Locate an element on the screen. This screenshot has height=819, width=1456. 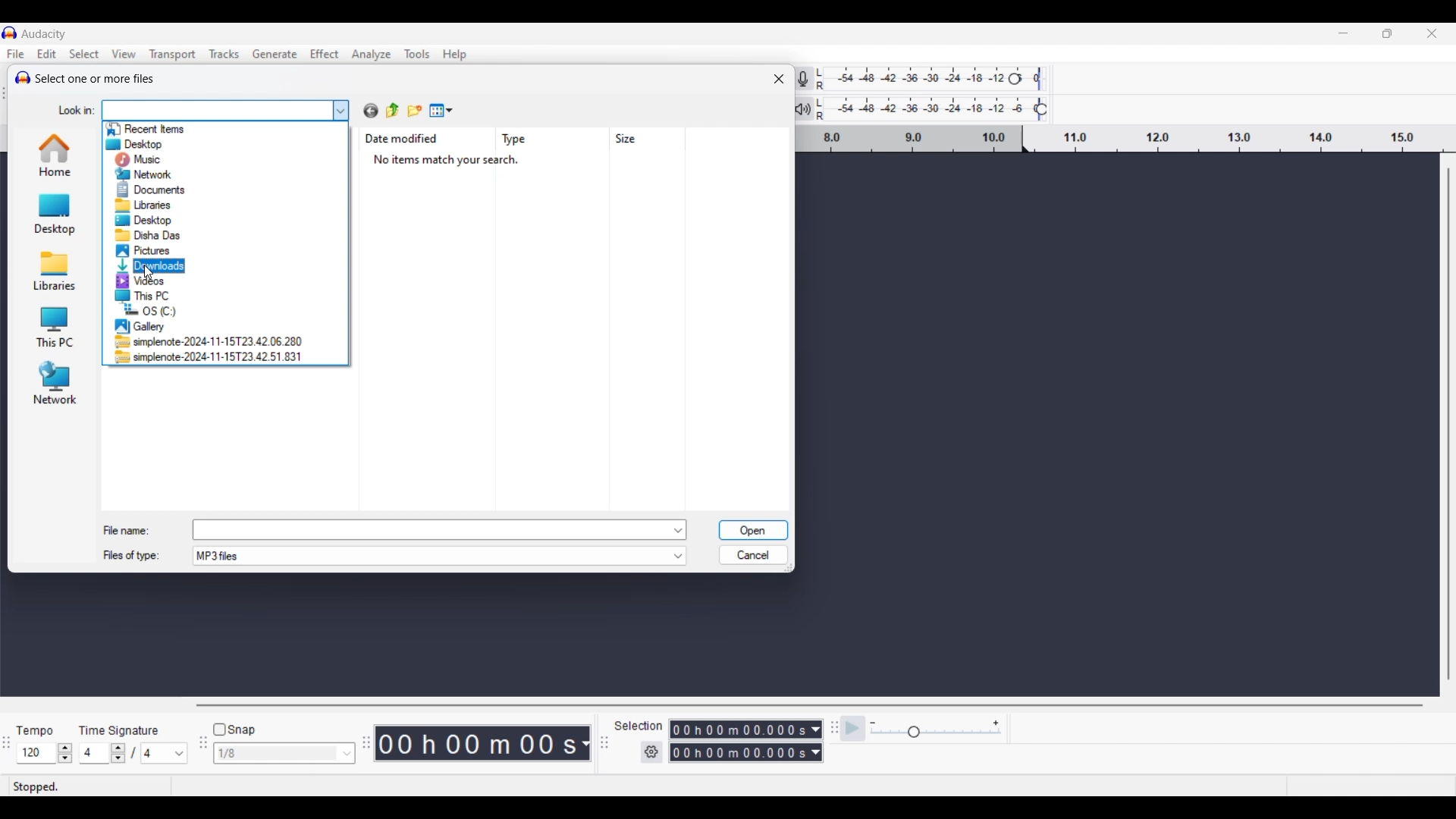
Tracks menu is located at coordinates (225, 54).